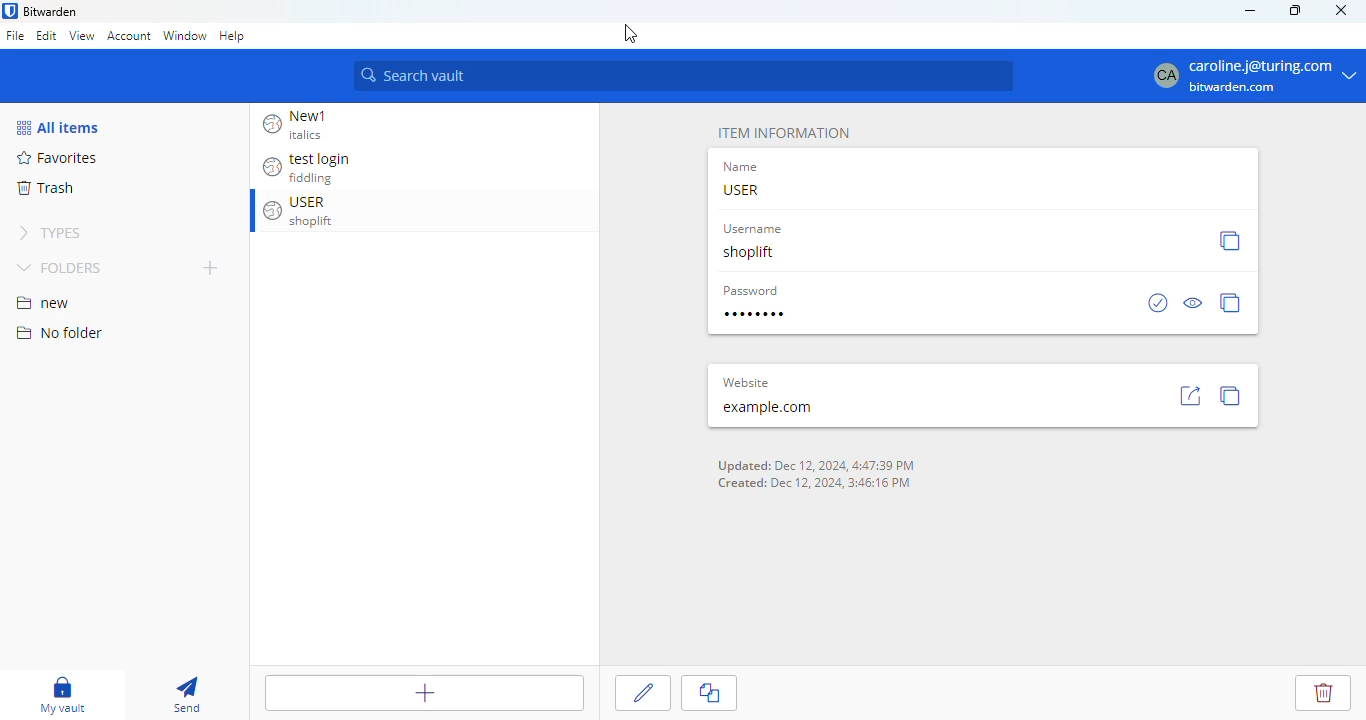 The width and height of the screenshot is (1366, 720). What do you see at coordinates (1315, 693) in the screenshot?
I see `delete` at bounding box center [1315, 693].